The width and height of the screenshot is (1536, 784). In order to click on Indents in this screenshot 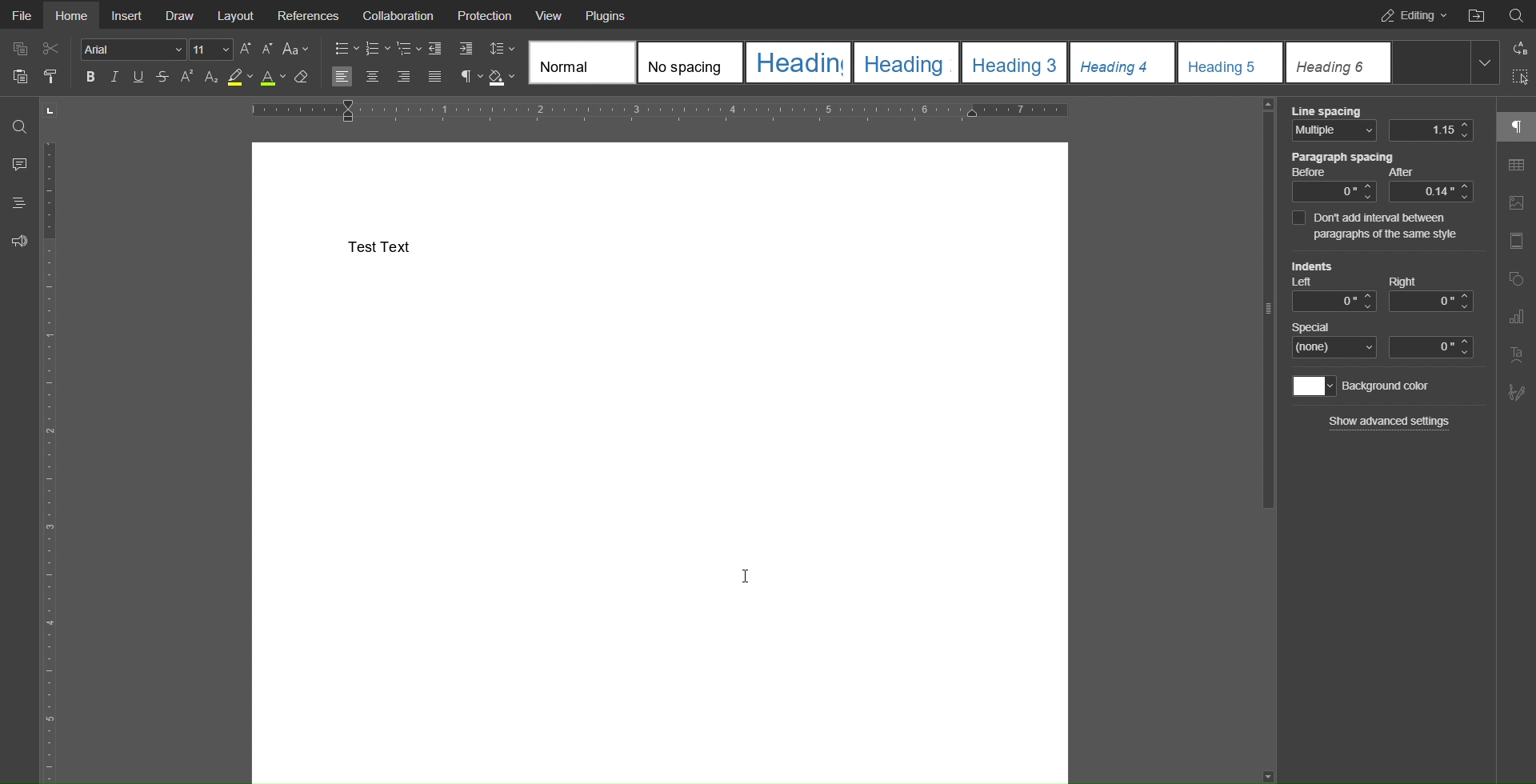, I will do `click(1380, 286)`.